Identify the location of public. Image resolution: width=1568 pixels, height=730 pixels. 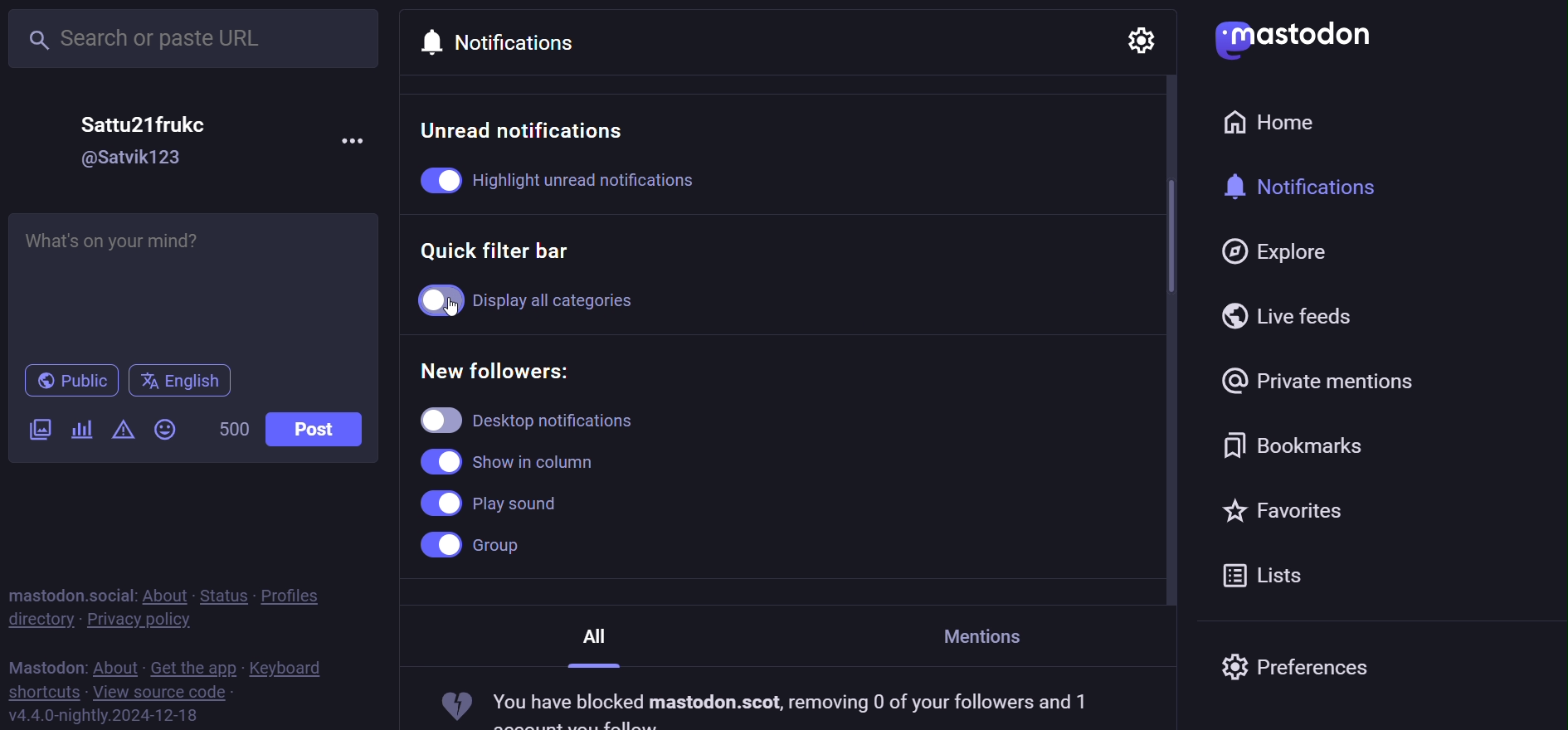
(67, 381).